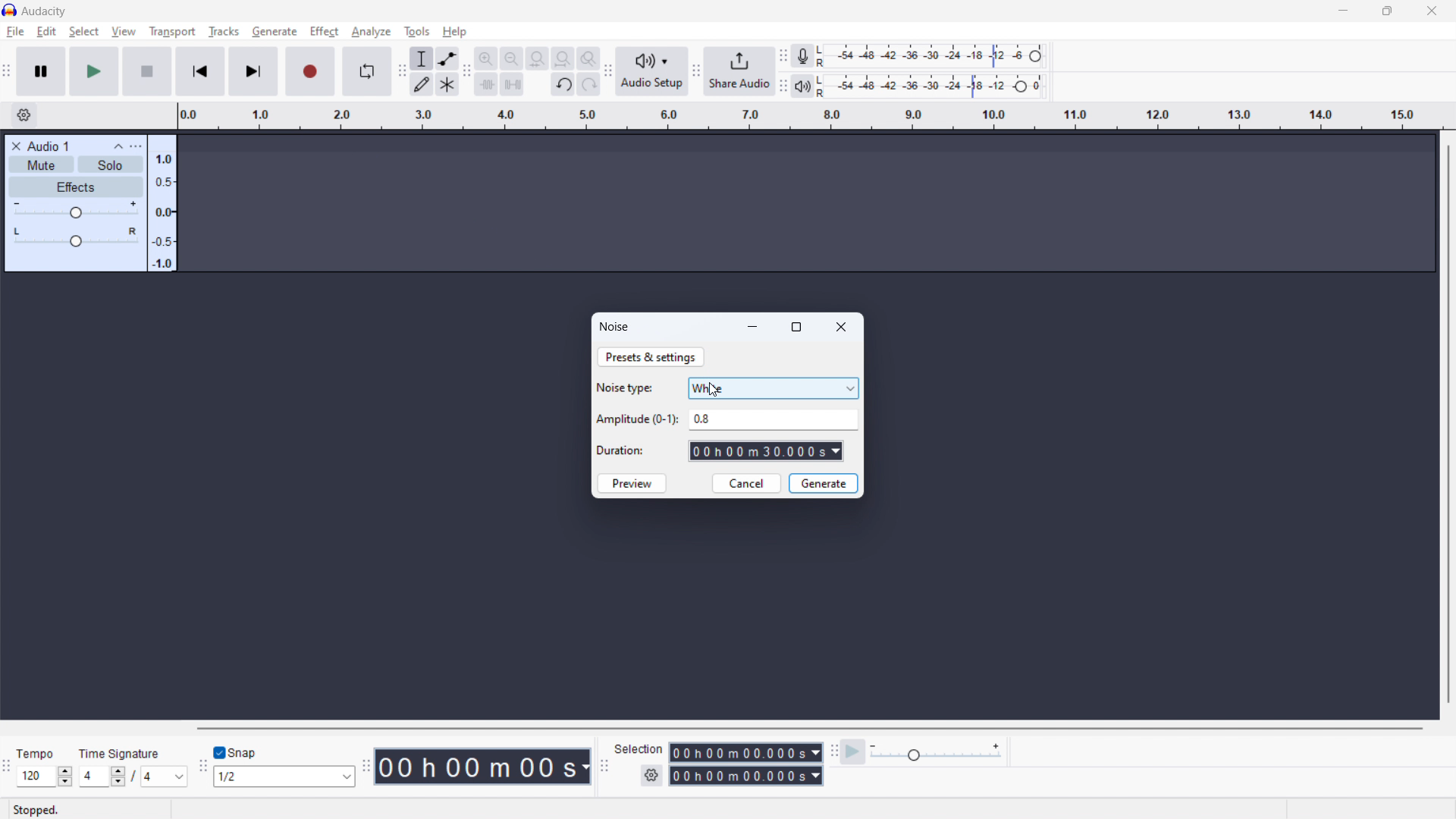 This screenshot has height=819, width=1456. I want to click on playback level, so click(931, 86).